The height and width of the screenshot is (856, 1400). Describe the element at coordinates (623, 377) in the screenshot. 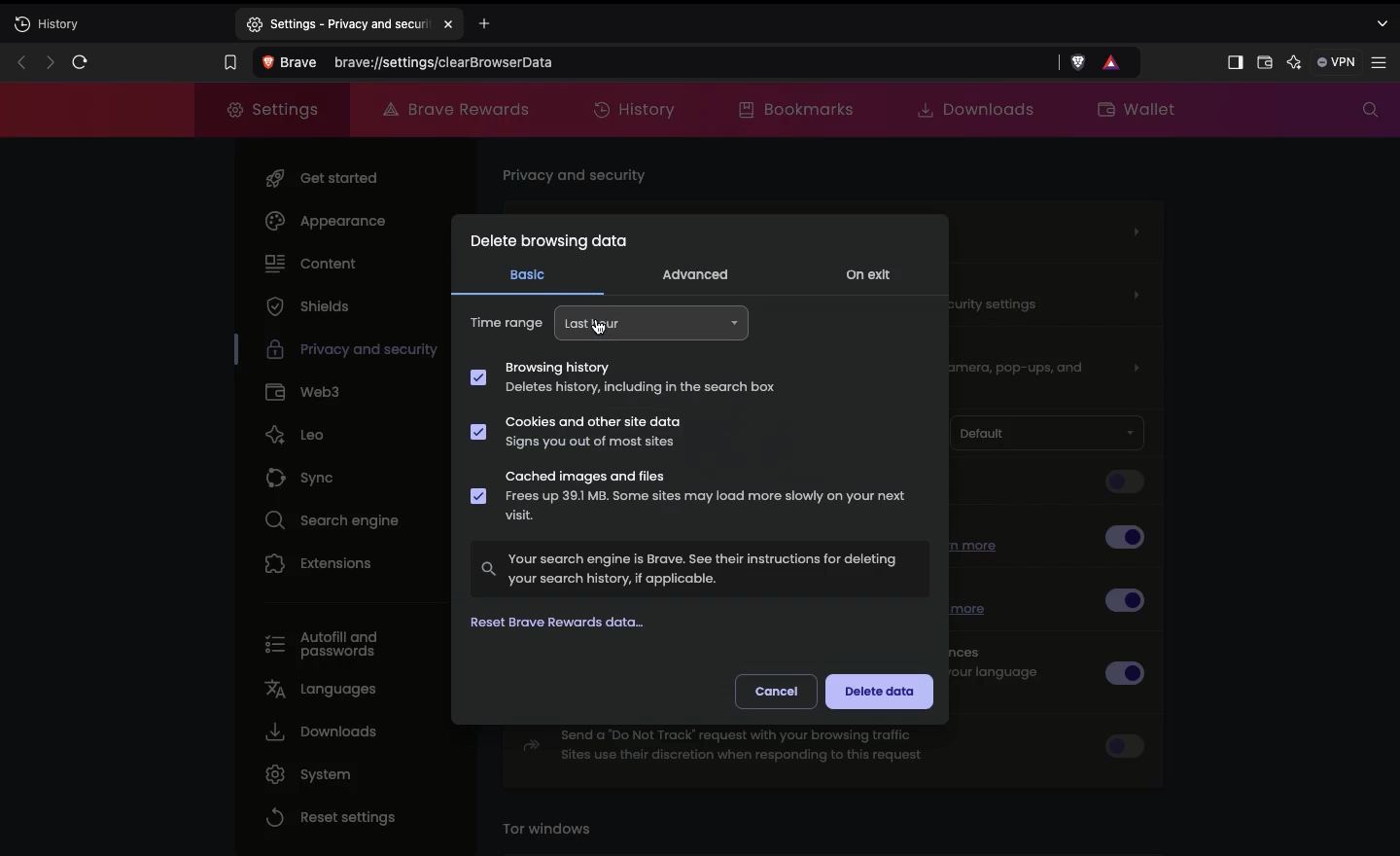

I see `Browsing history
Deletes history, including in the search box` at that location.